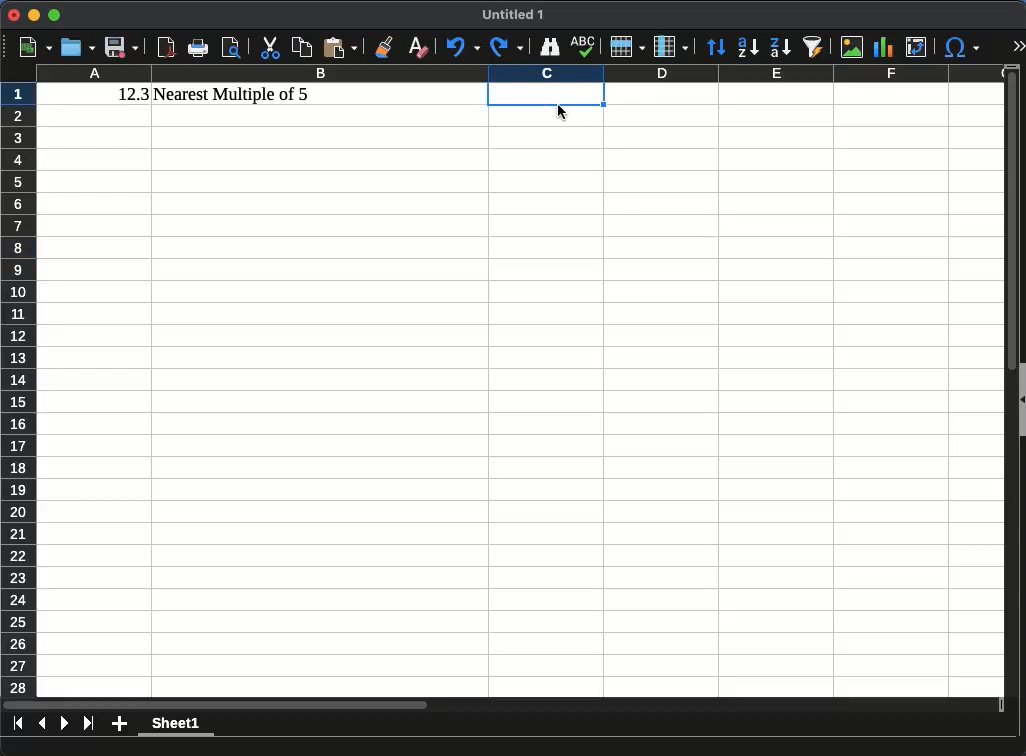 The height and width of the screenshot is (756, 1026). What do you see at coordinates (33, 14) in the screenshot?
I see `minimize` at bounding box center [33, 14].